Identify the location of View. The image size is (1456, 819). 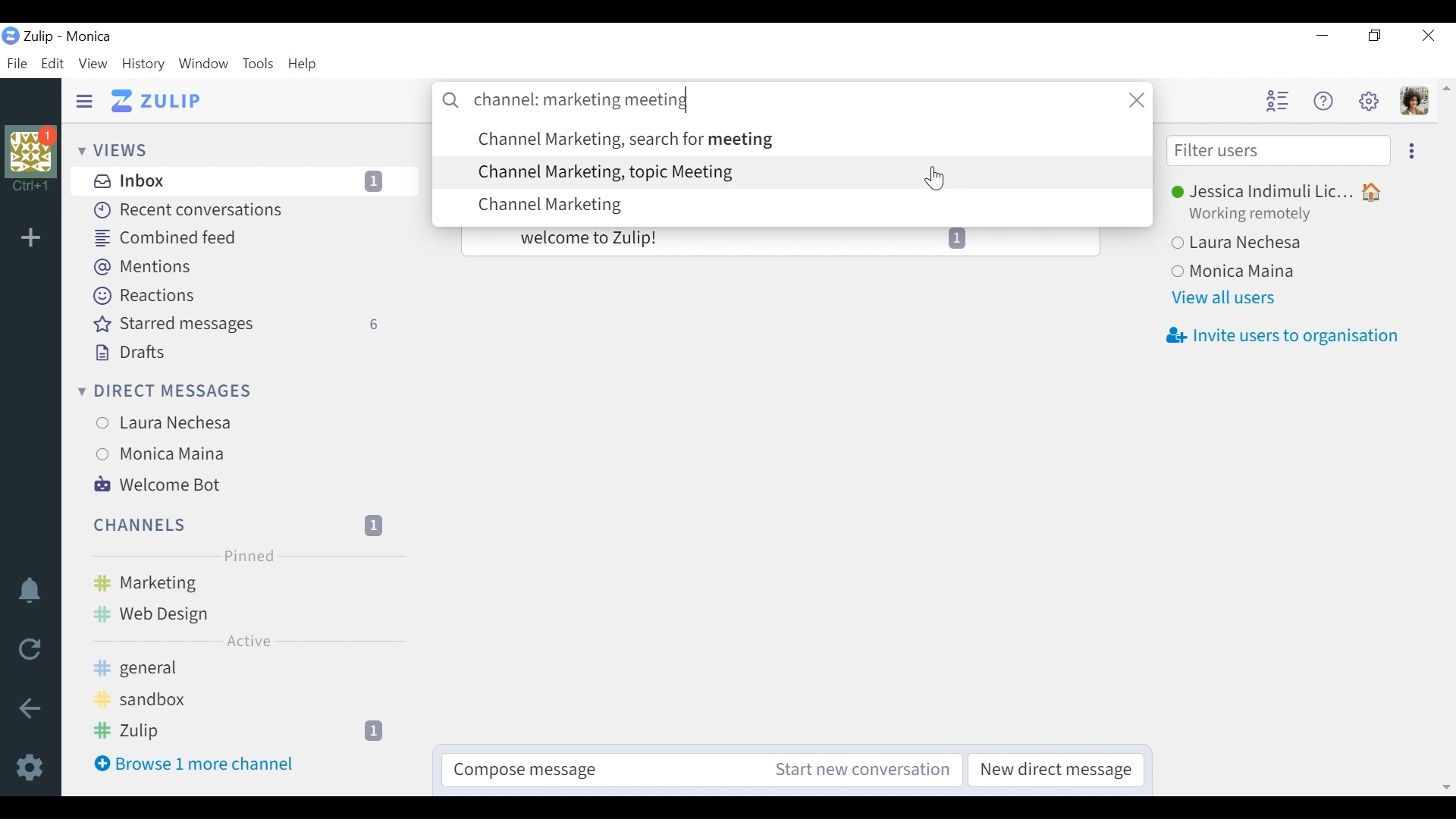
(94, 65).